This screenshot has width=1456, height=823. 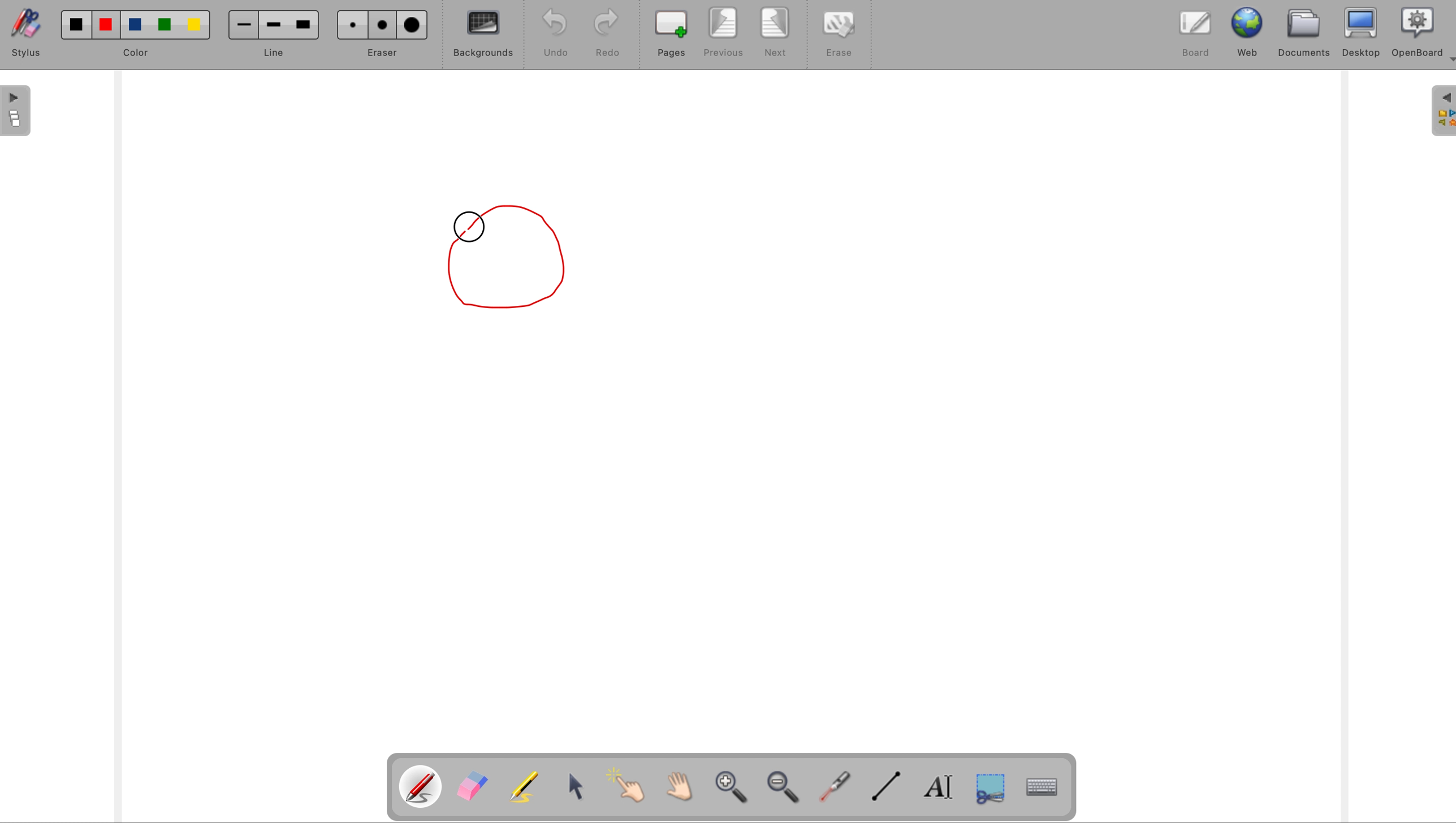 I want to click on redo, so click(x=608, y=34).